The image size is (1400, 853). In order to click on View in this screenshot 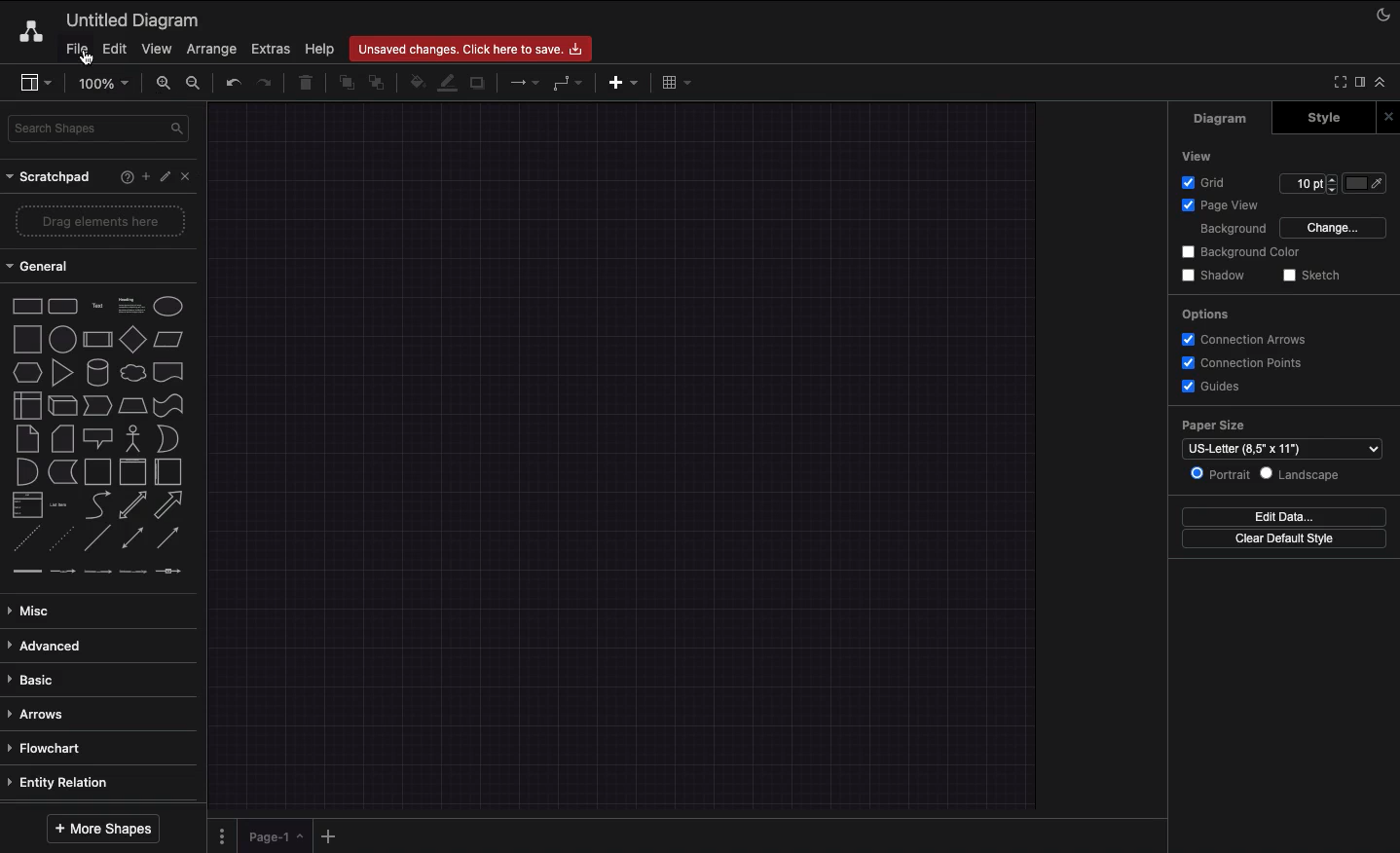, I will do `click(157, 46)`.